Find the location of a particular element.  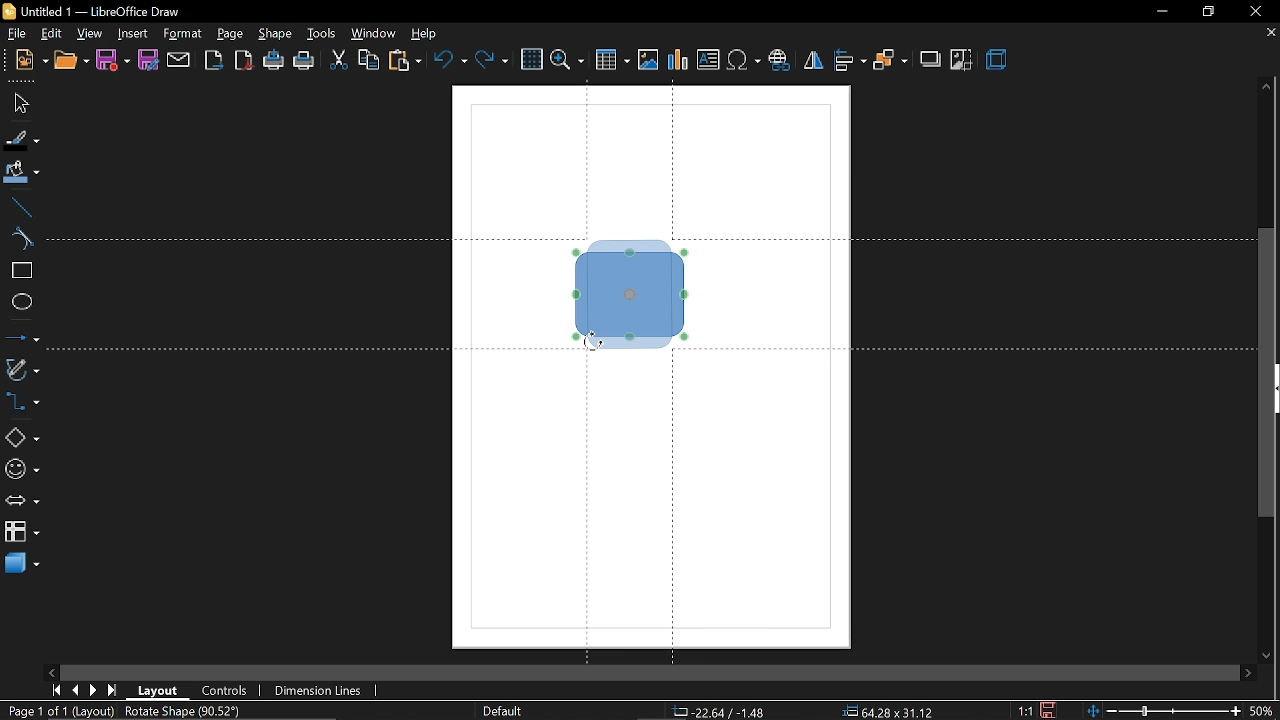

connectors is located at coordinates (22, 403).